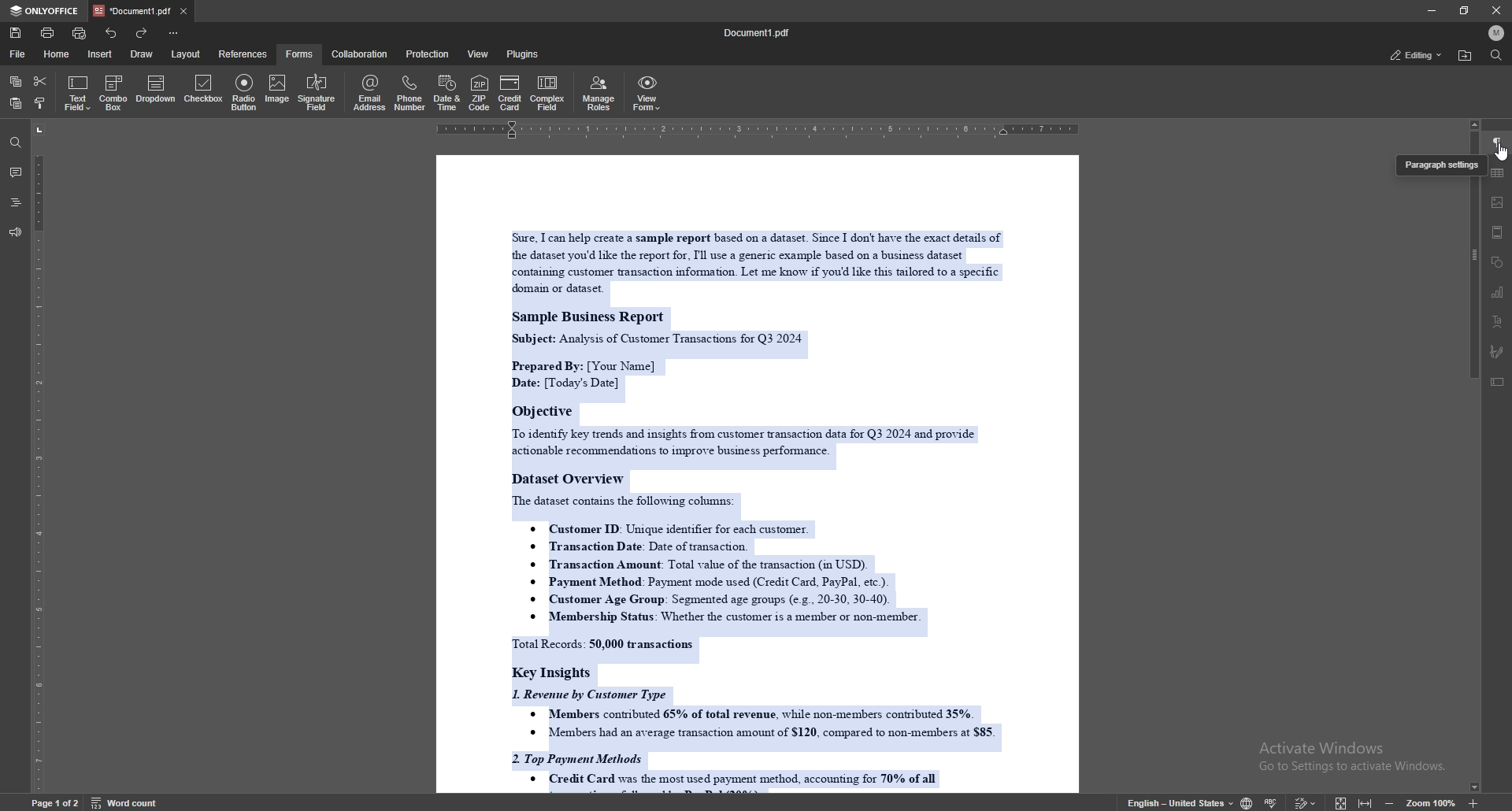  I want to click on protection, so click(429, 54).